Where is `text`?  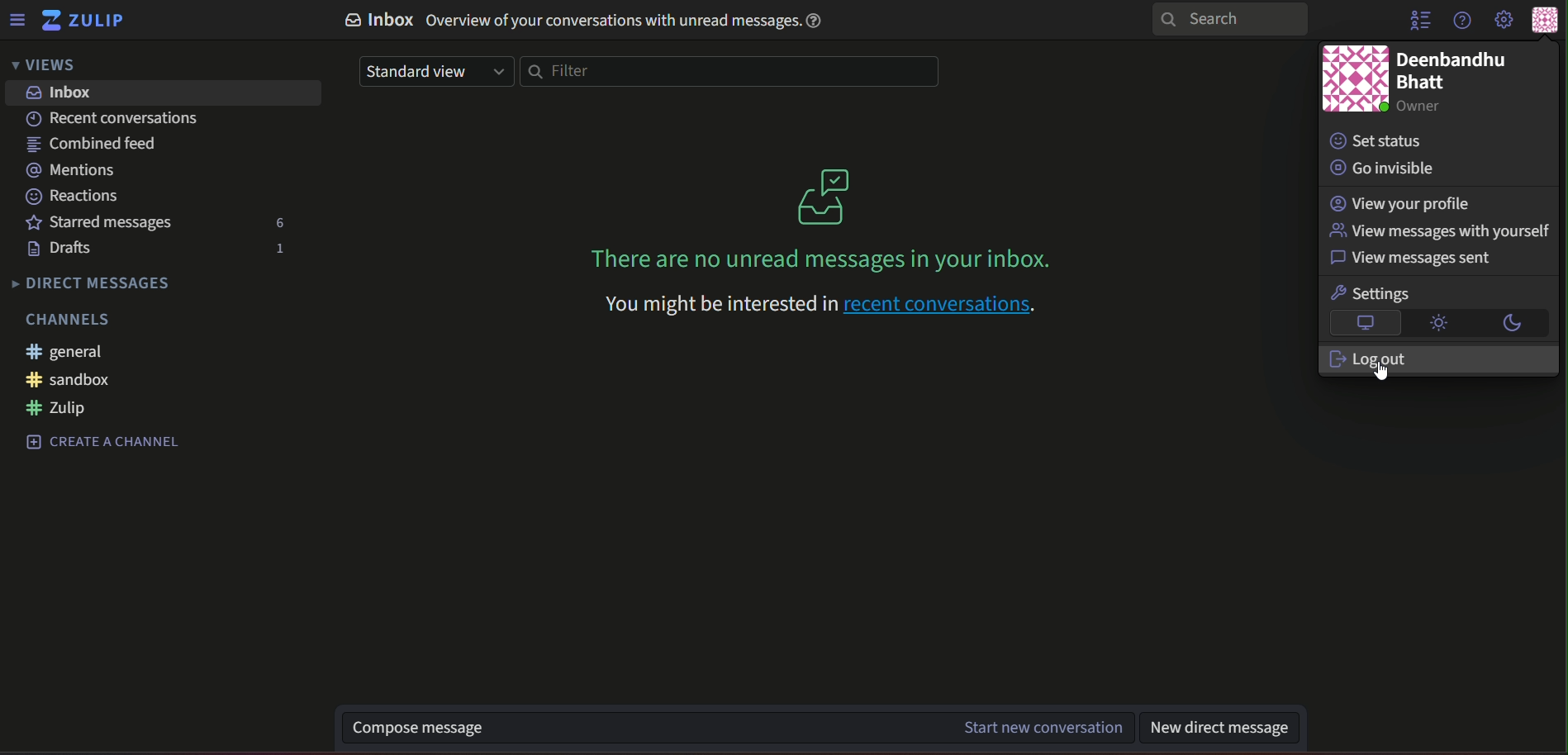 text is located at coordinates (1416, 257).